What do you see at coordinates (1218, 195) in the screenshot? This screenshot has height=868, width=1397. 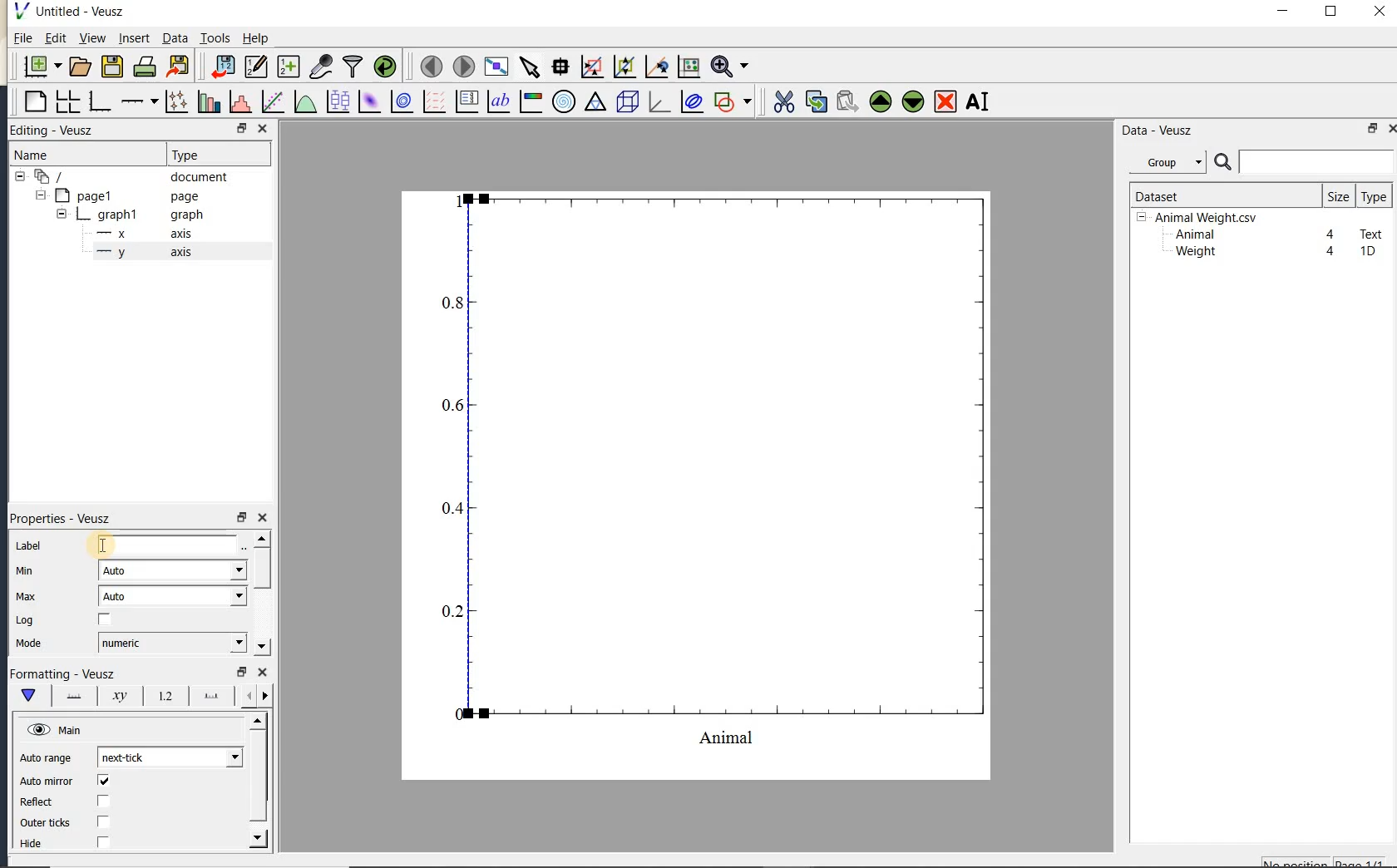 I see `Dataset` at bounding box center [1218, 195].